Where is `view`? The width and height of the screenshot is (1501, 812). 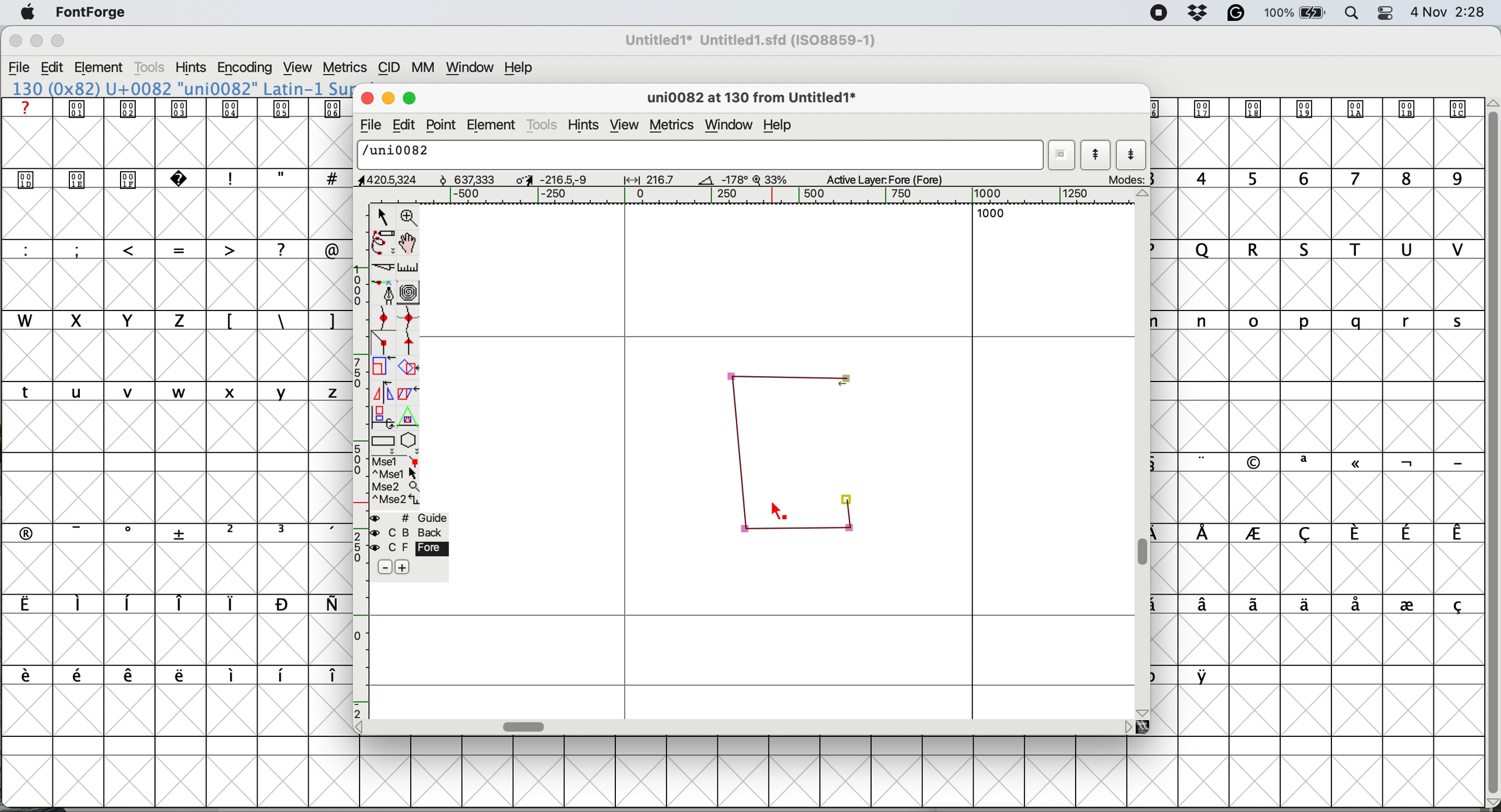
view is located at coordinates (300, 68).